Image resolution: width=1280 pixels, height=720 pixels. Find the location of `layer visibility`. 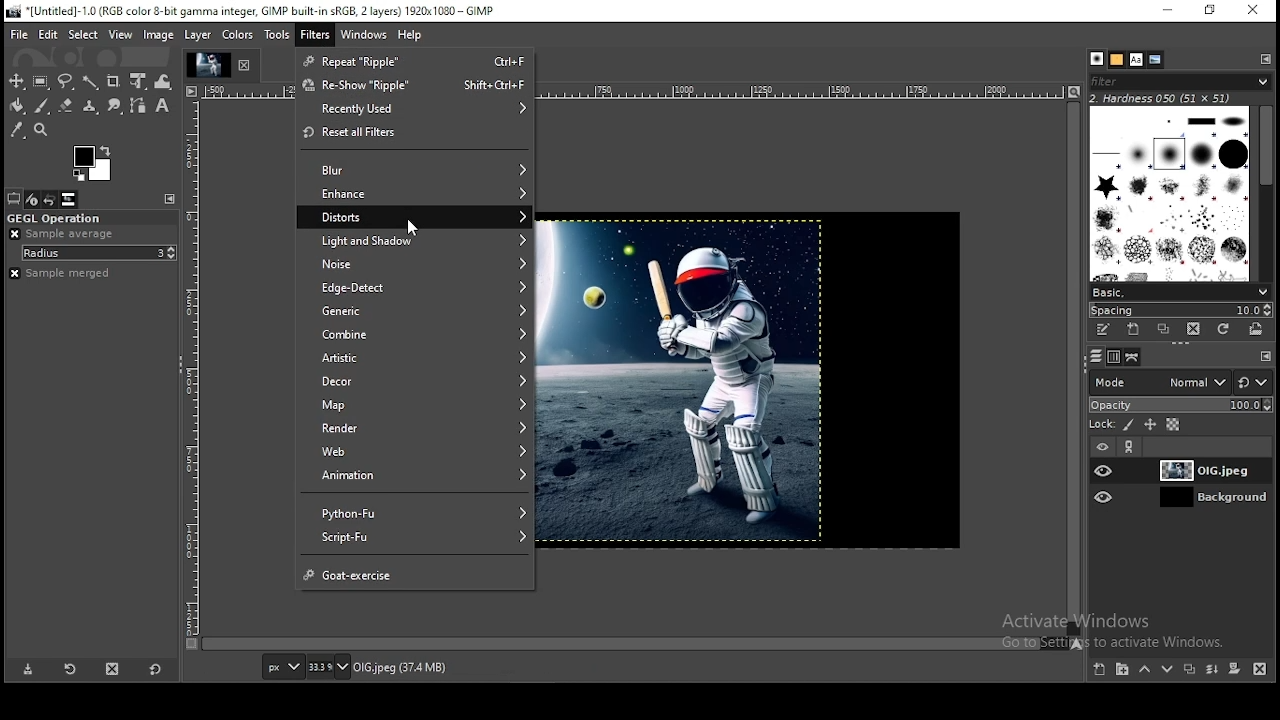

layer visibility is located at coordinates (1106, 470).